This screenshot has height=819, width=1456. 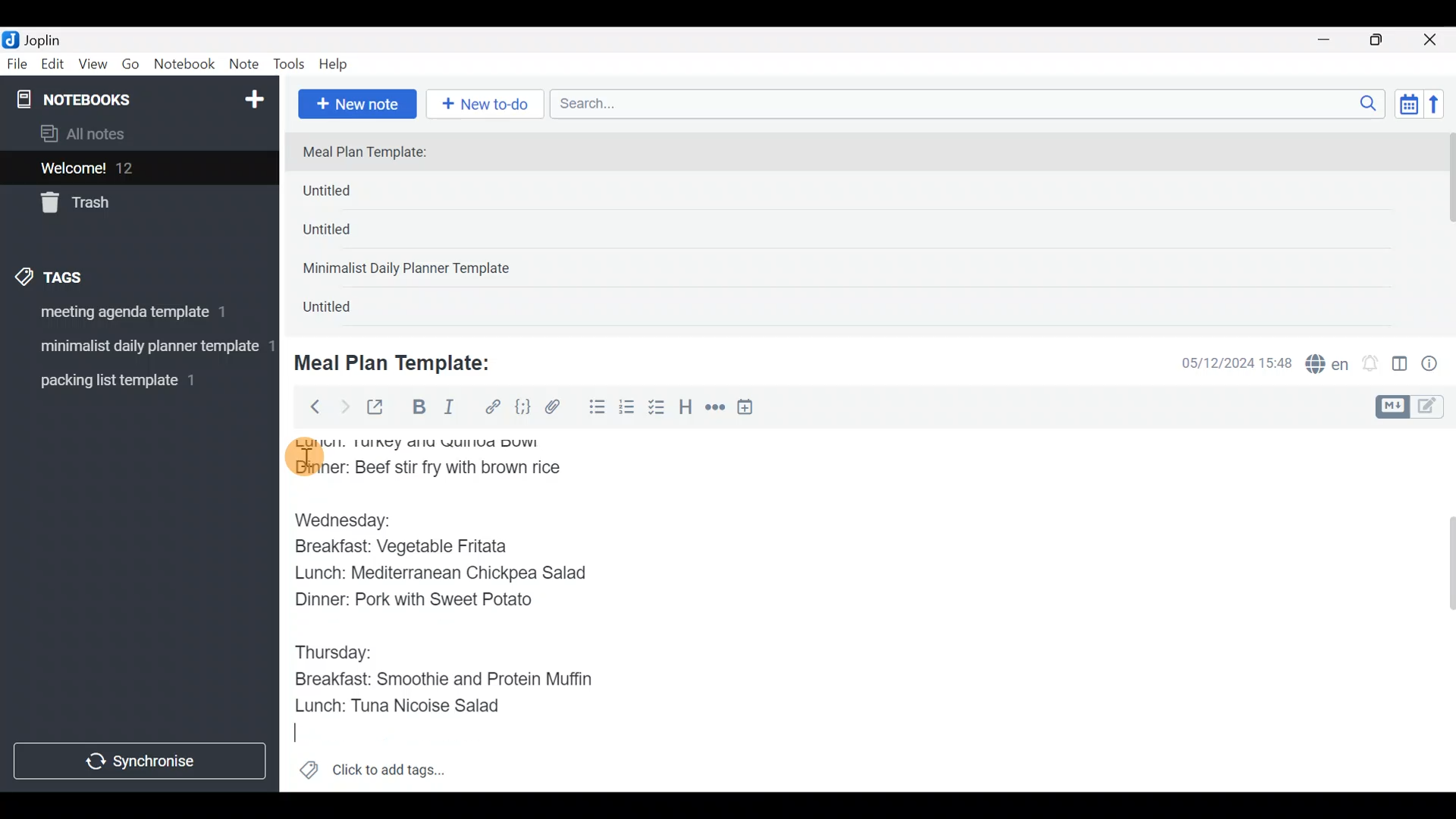 What do you see at coordinates (715, 409) in the screenshot?
I see `Horizontal rule` at bounding box center [715, 409].